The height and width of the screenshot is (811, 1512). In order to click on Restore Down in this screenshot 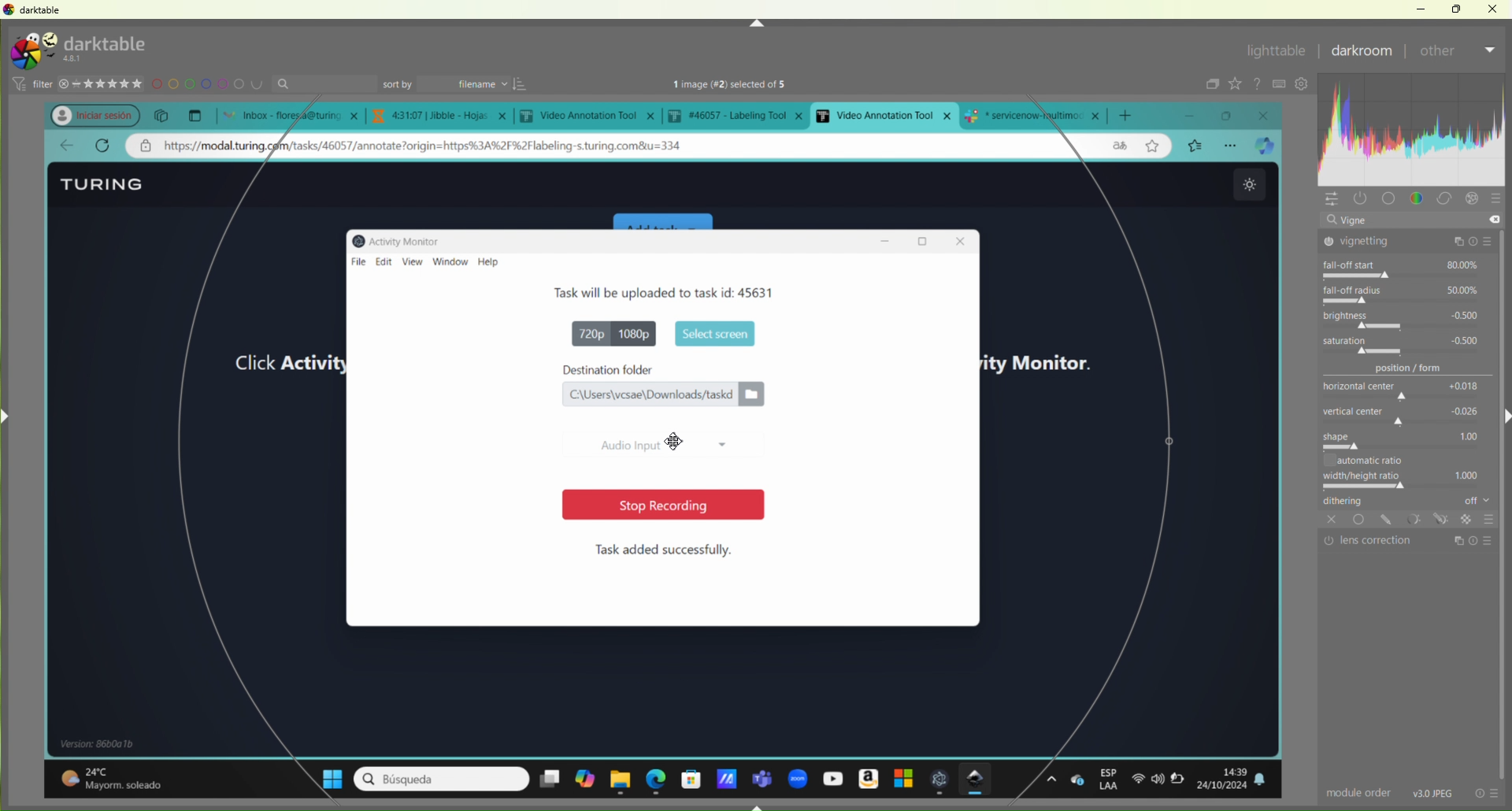, I will do `click(1457, 9)`.